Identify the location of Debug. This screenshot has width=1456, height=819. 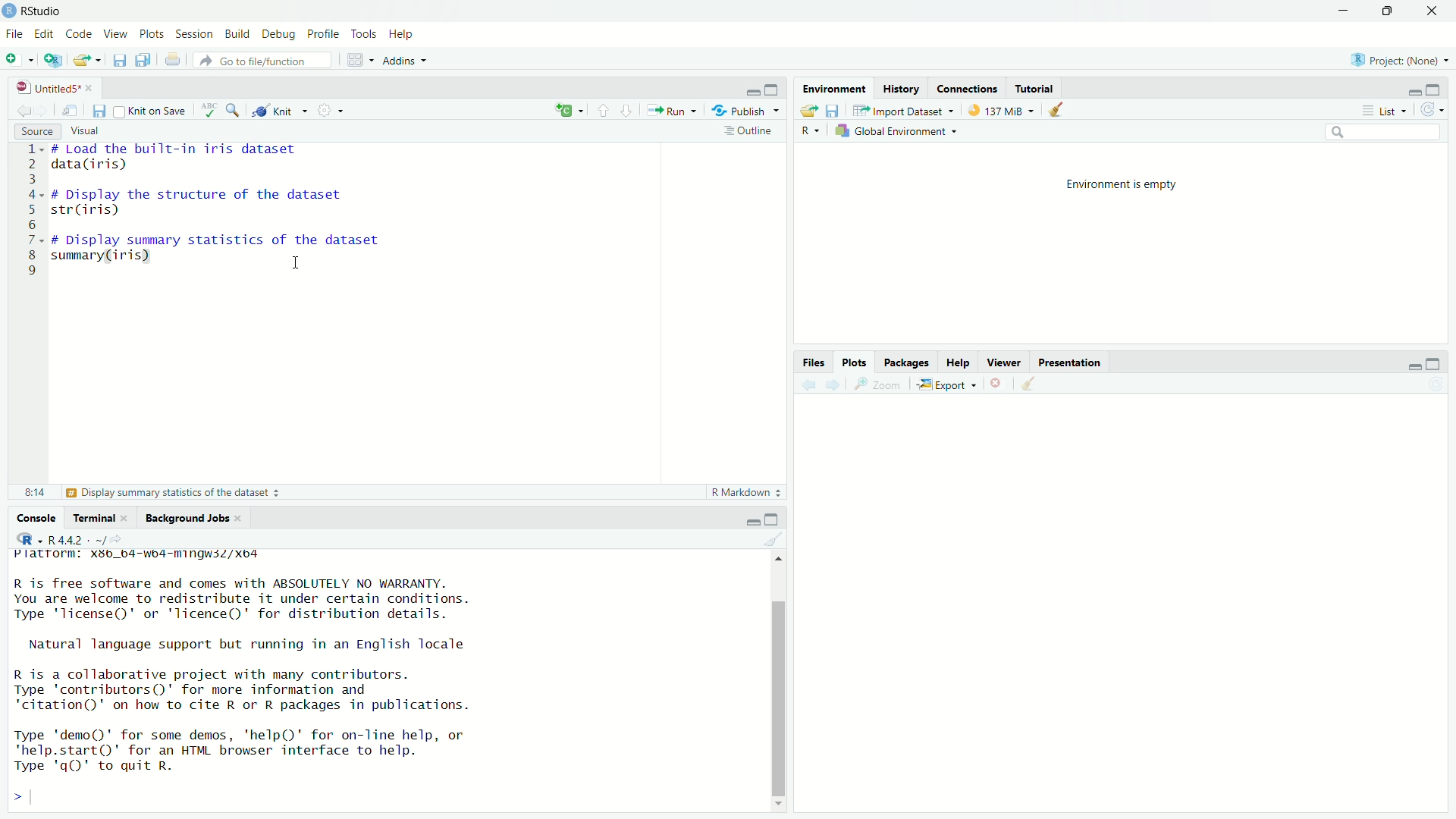
(280, 34).